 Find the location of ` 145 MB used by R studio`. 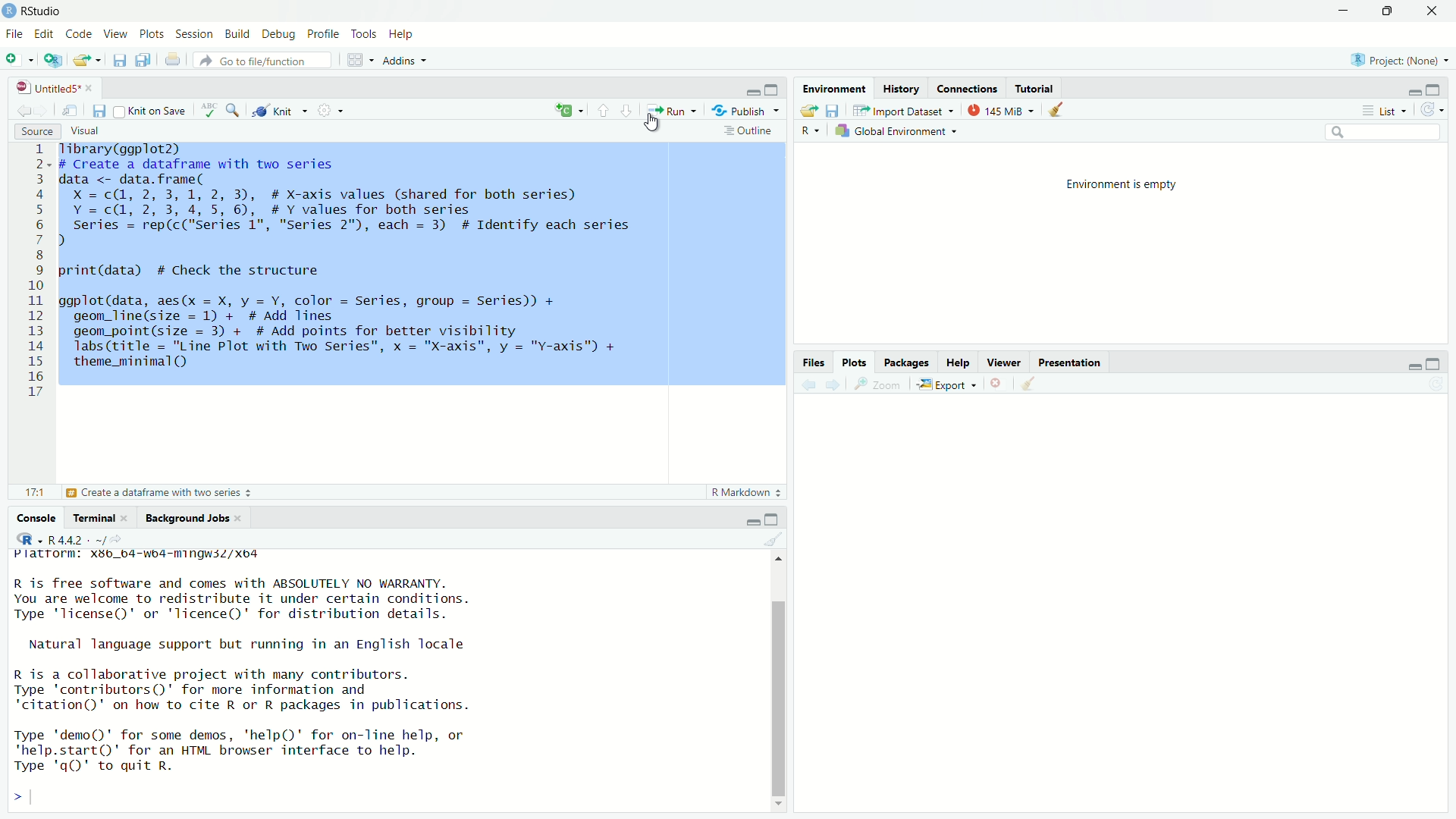

 145 MB used by R studio is located at coordinates (999, 110).